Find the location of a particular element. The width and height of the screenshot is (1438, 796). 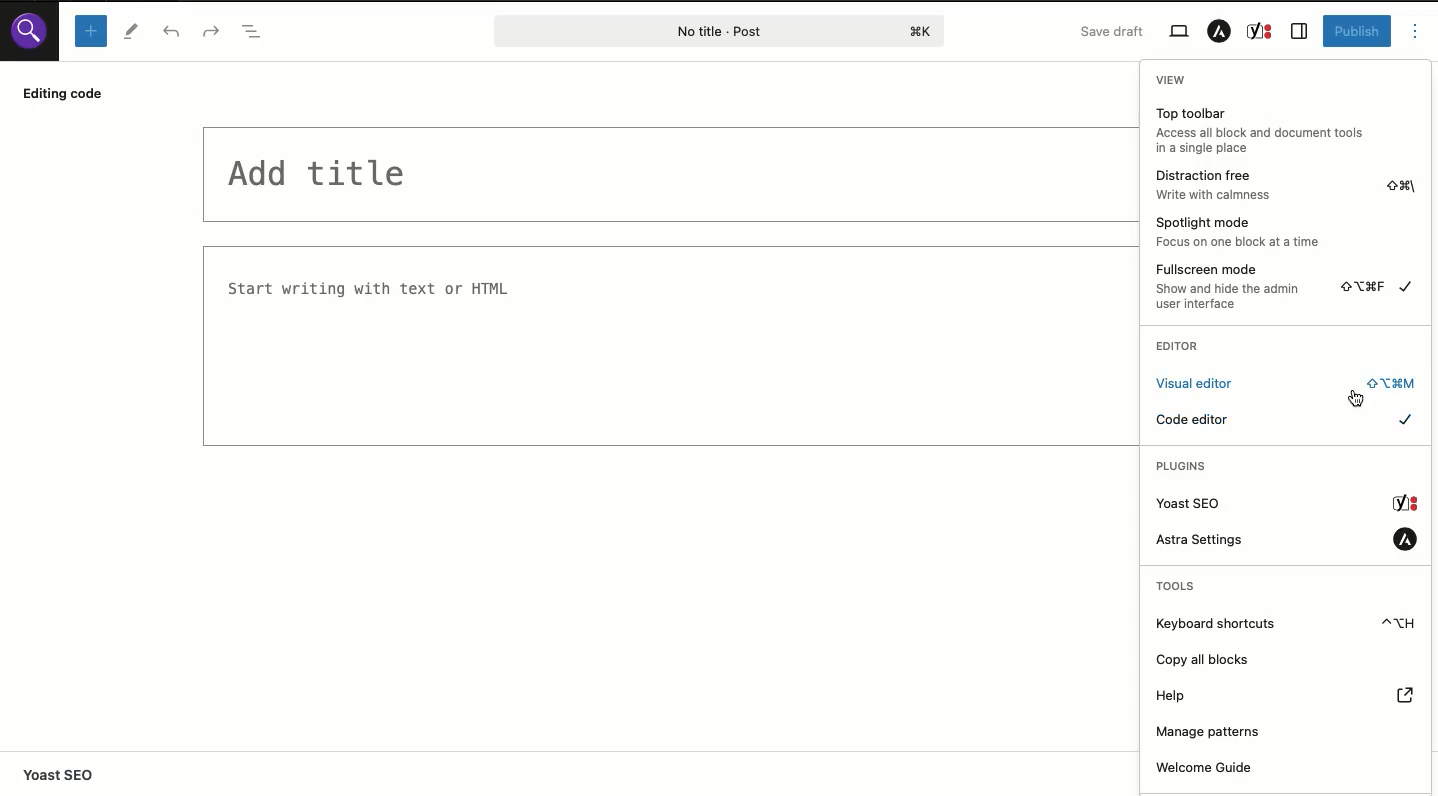

Yoast is located at coordinates (572, 776).